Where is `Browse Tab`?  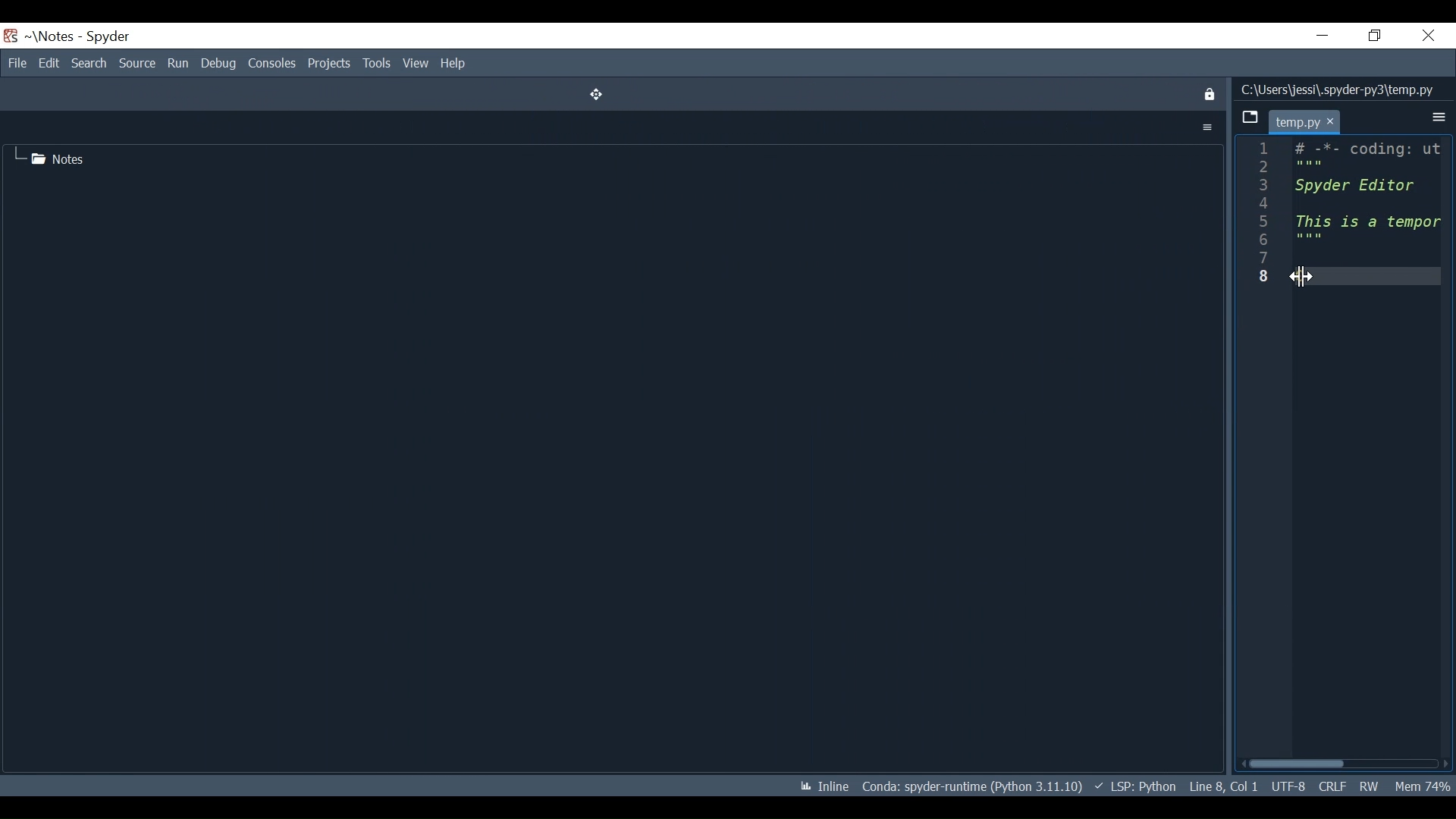
Browse Tab is located at coordinates (1250, 118).